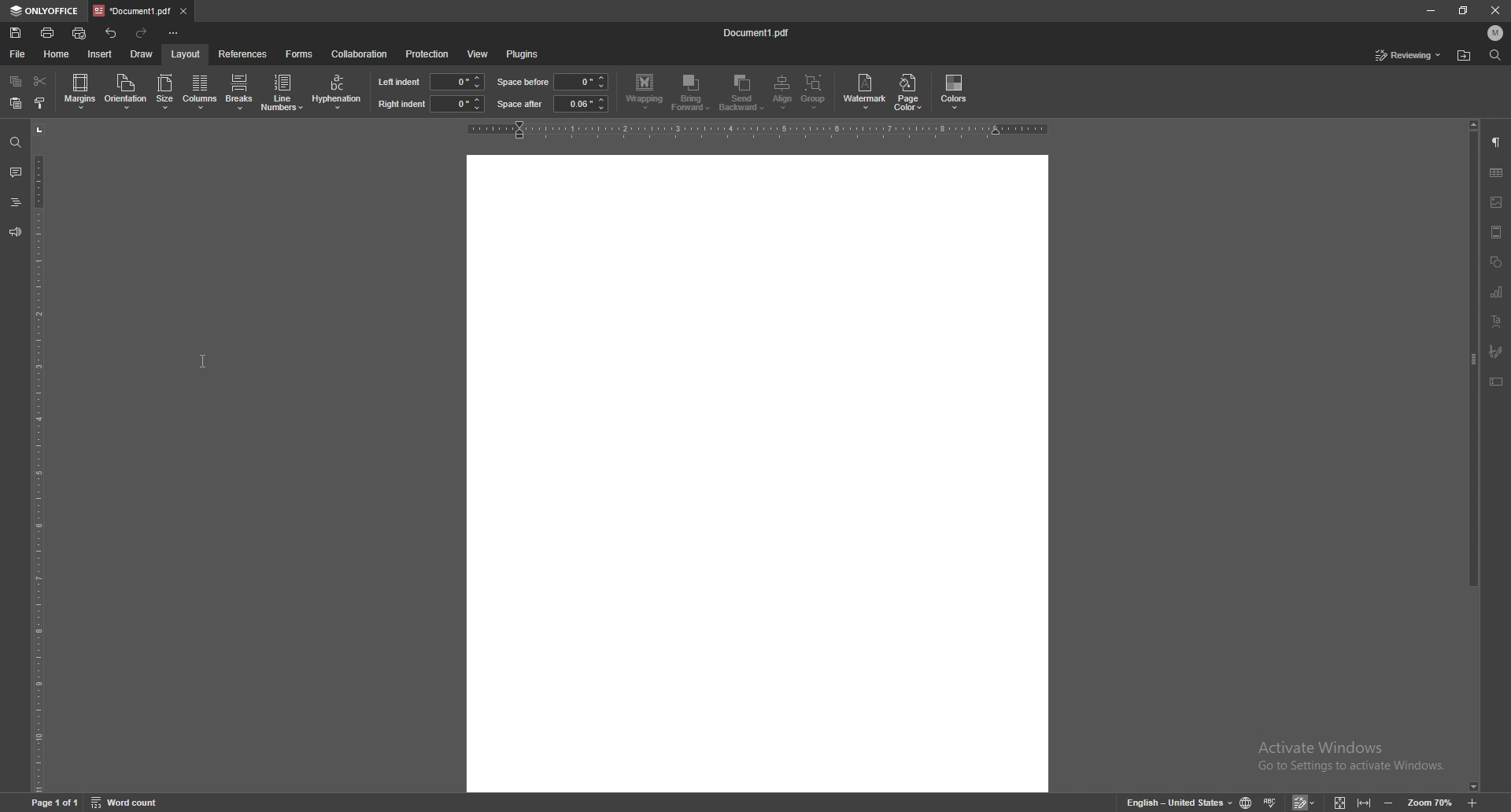  Describe the element at coordinates (243, 53) in the screenshot. I see `references` at that location.